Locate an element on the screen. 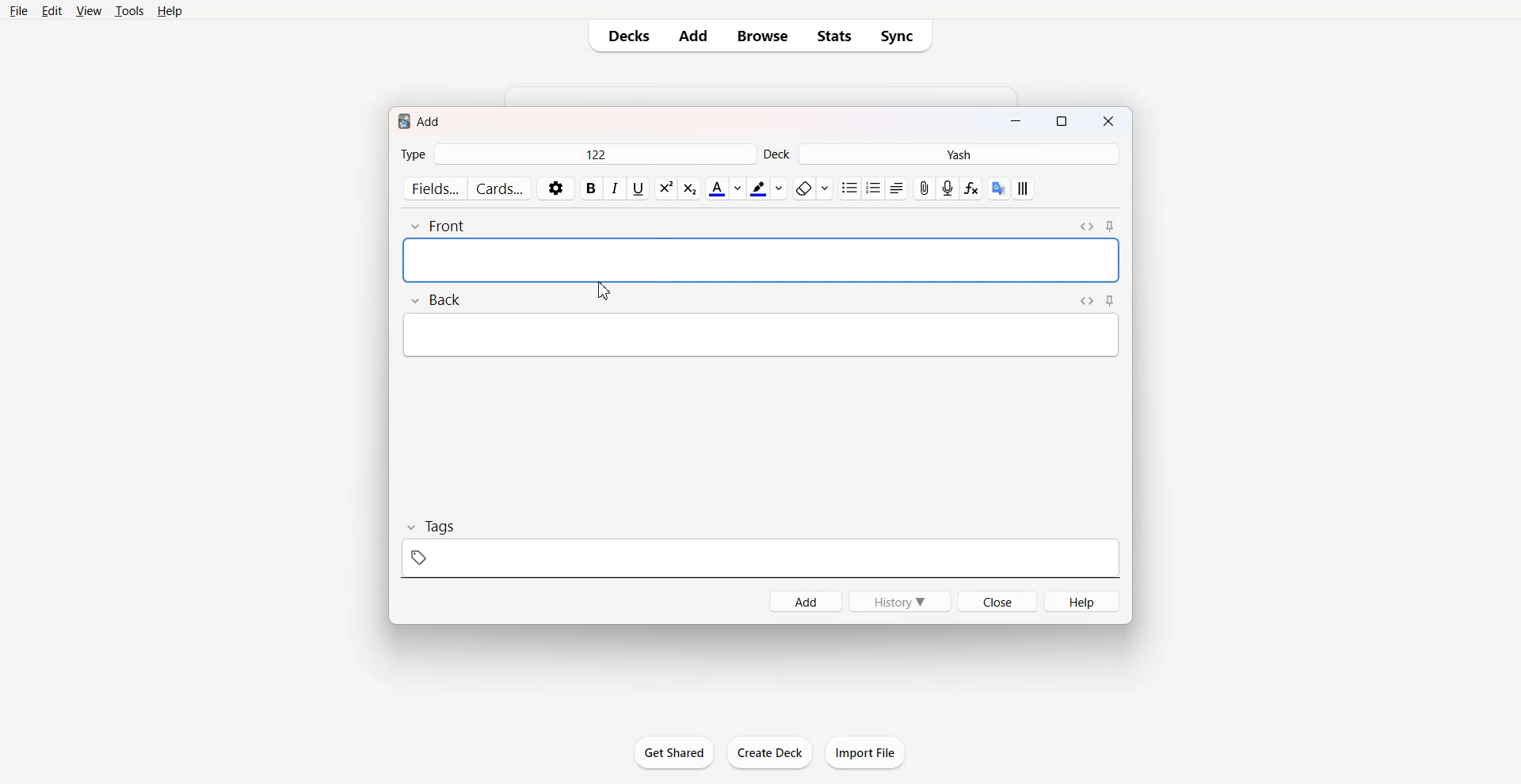 This screenshot has height=784, width=1521. Superscript is located at coordinates (689, 188).